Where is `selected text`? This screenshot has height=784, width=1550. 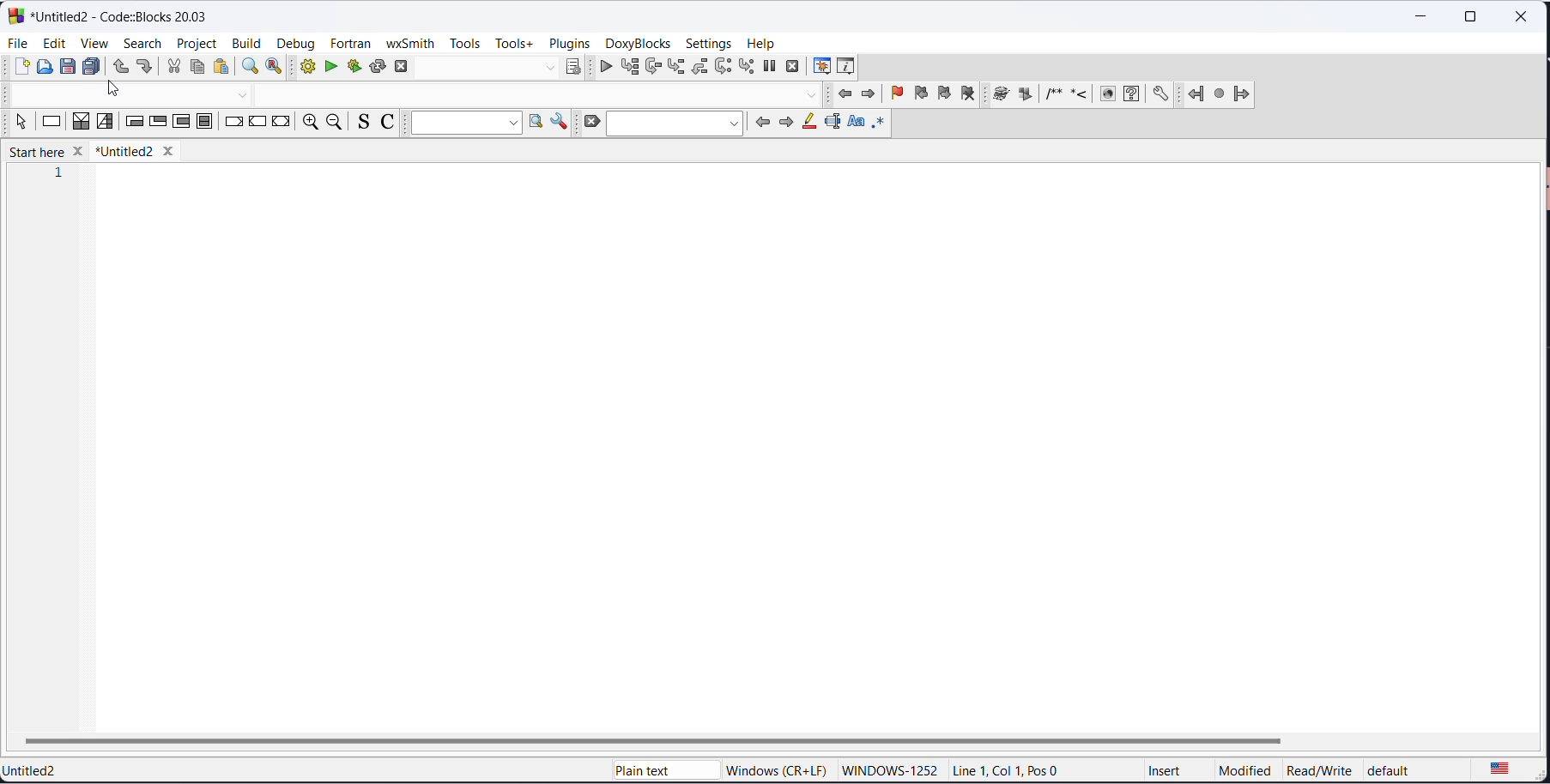
selected text is located at coordinates (833, 125).